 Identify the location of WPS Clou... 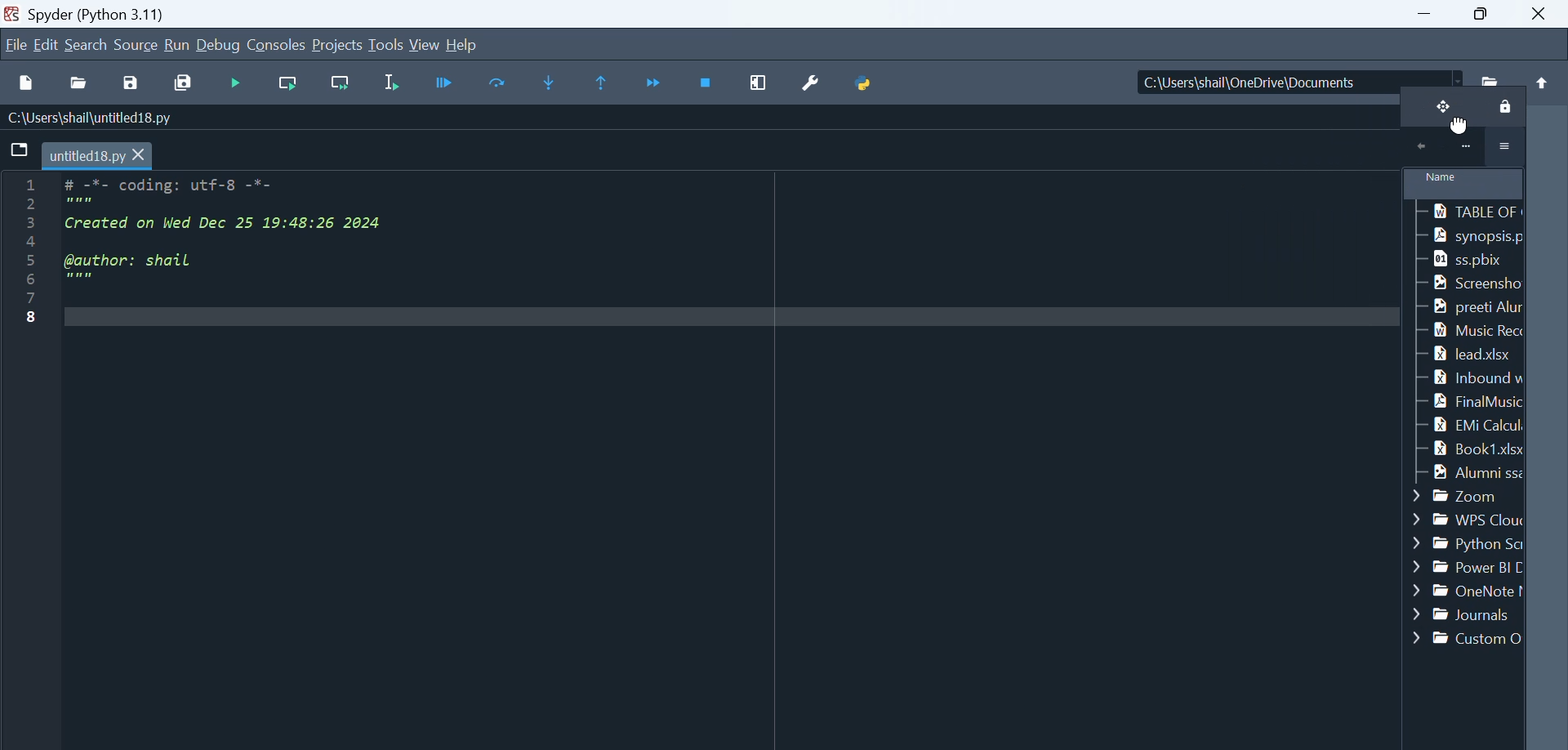
(1468, 519).